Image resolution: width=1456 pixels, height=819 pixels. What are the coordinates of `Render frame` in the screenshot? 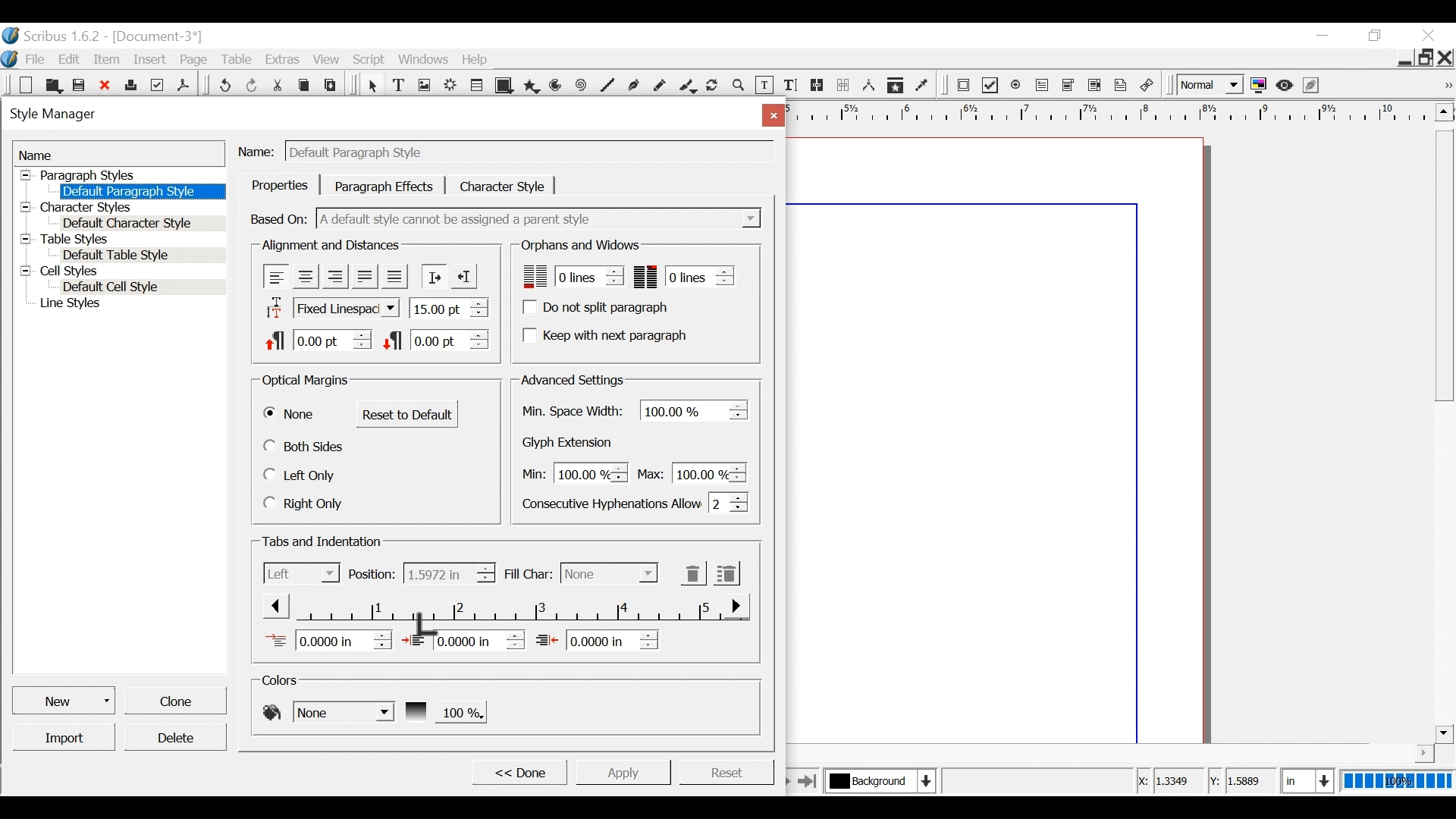 It's located at (451, 86).